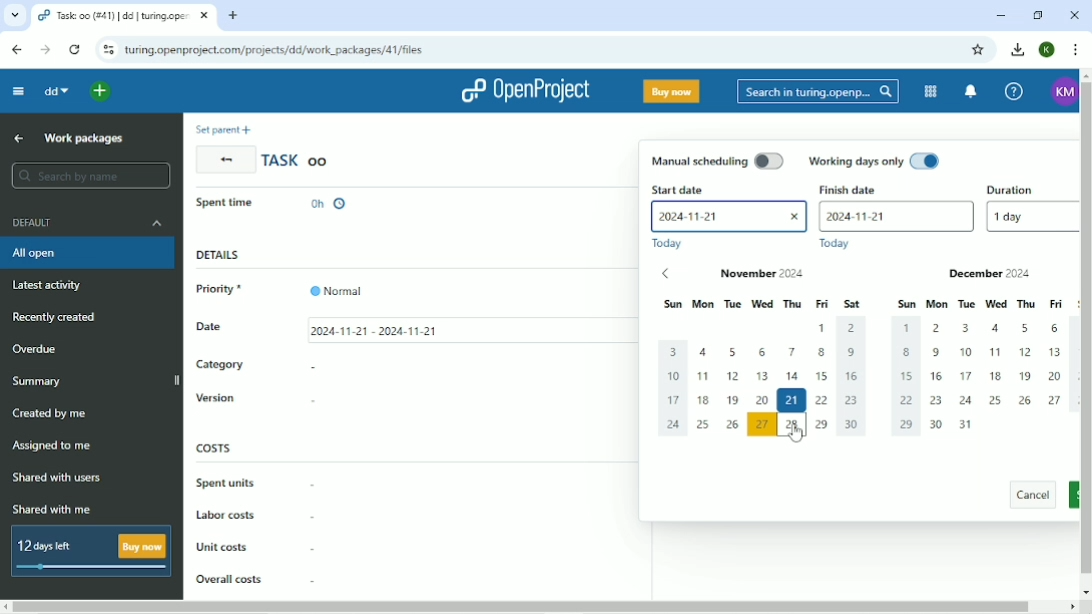  Describe the element at coordinates (57, 479) in the screenshot. I see `Shared with users` at that location.